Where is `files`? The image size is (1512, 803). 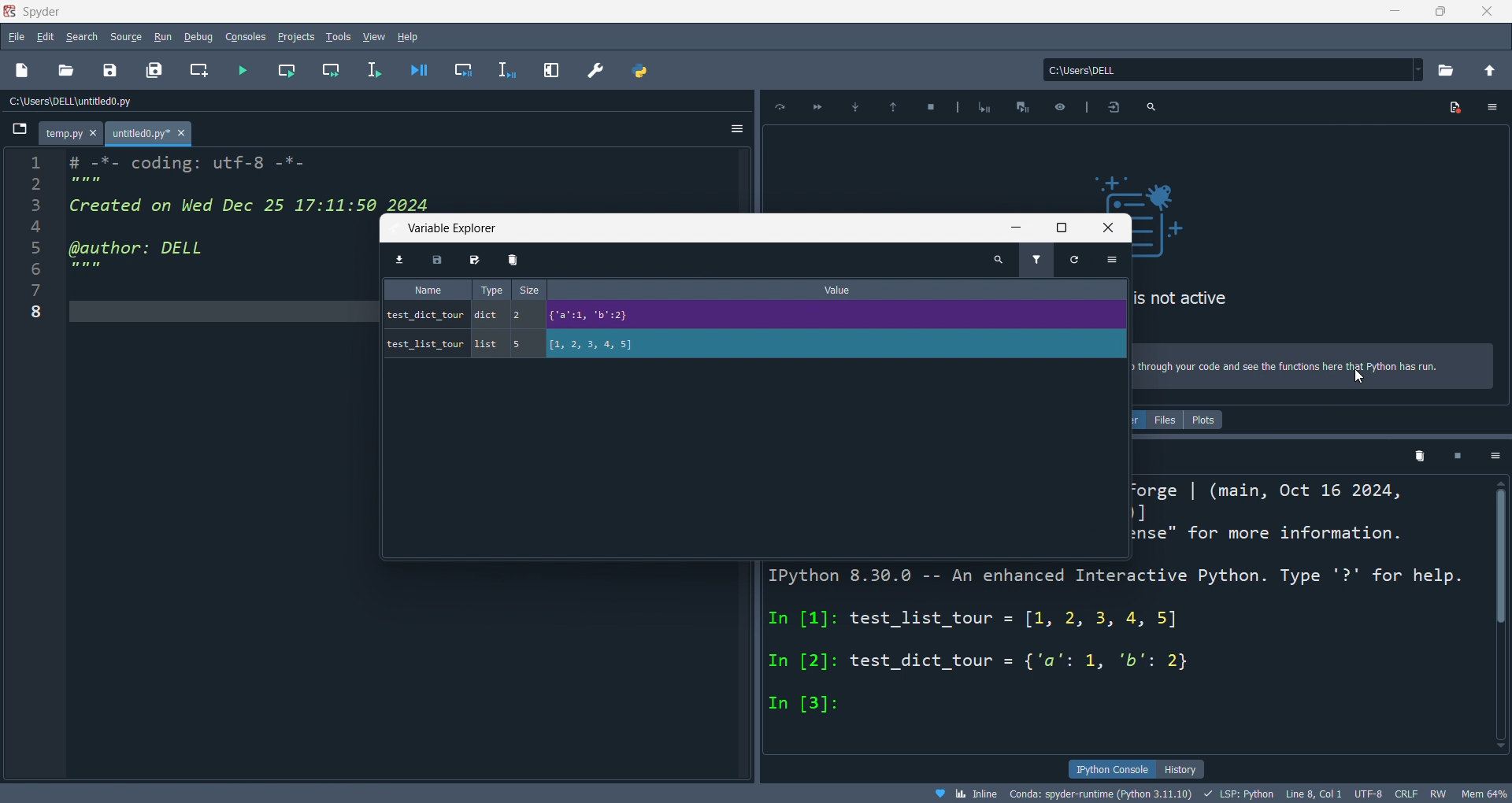 files is located at coordinates (1162, 419).